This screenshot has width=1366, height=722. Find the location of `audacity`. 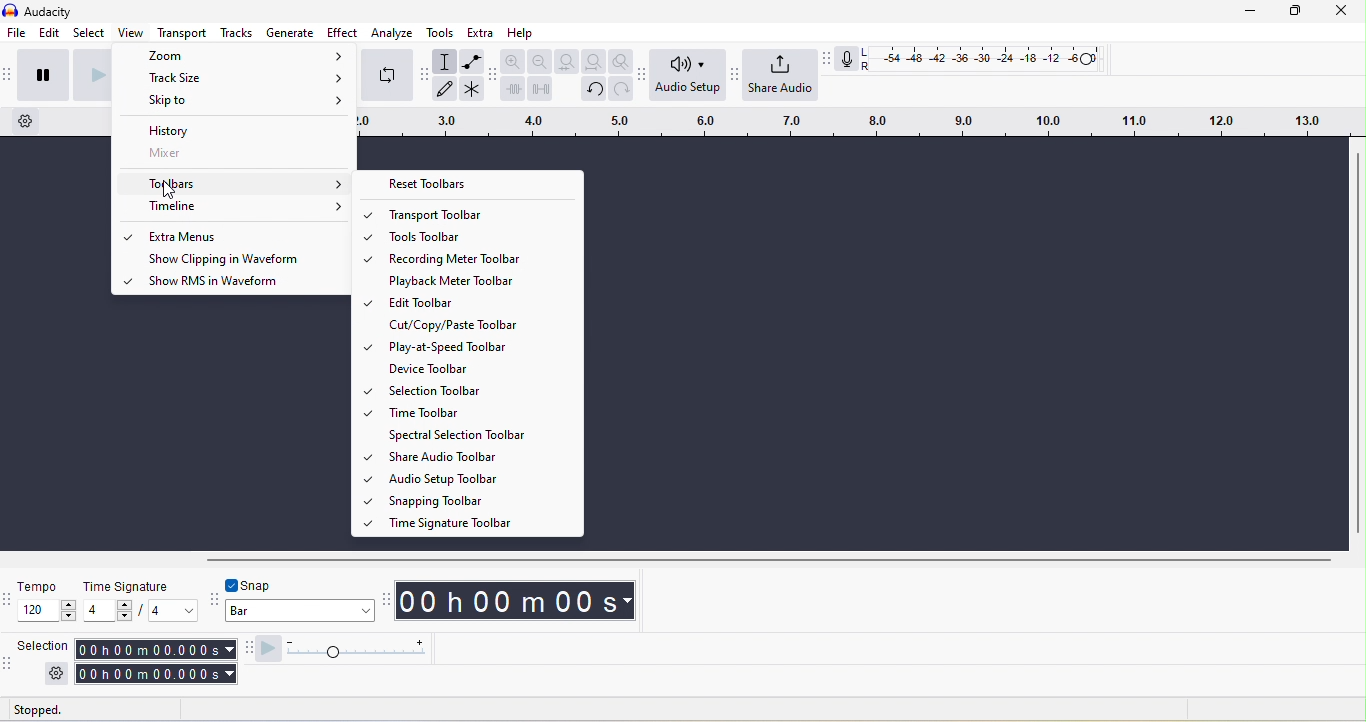

audacity is located at coordinates (48, 12).